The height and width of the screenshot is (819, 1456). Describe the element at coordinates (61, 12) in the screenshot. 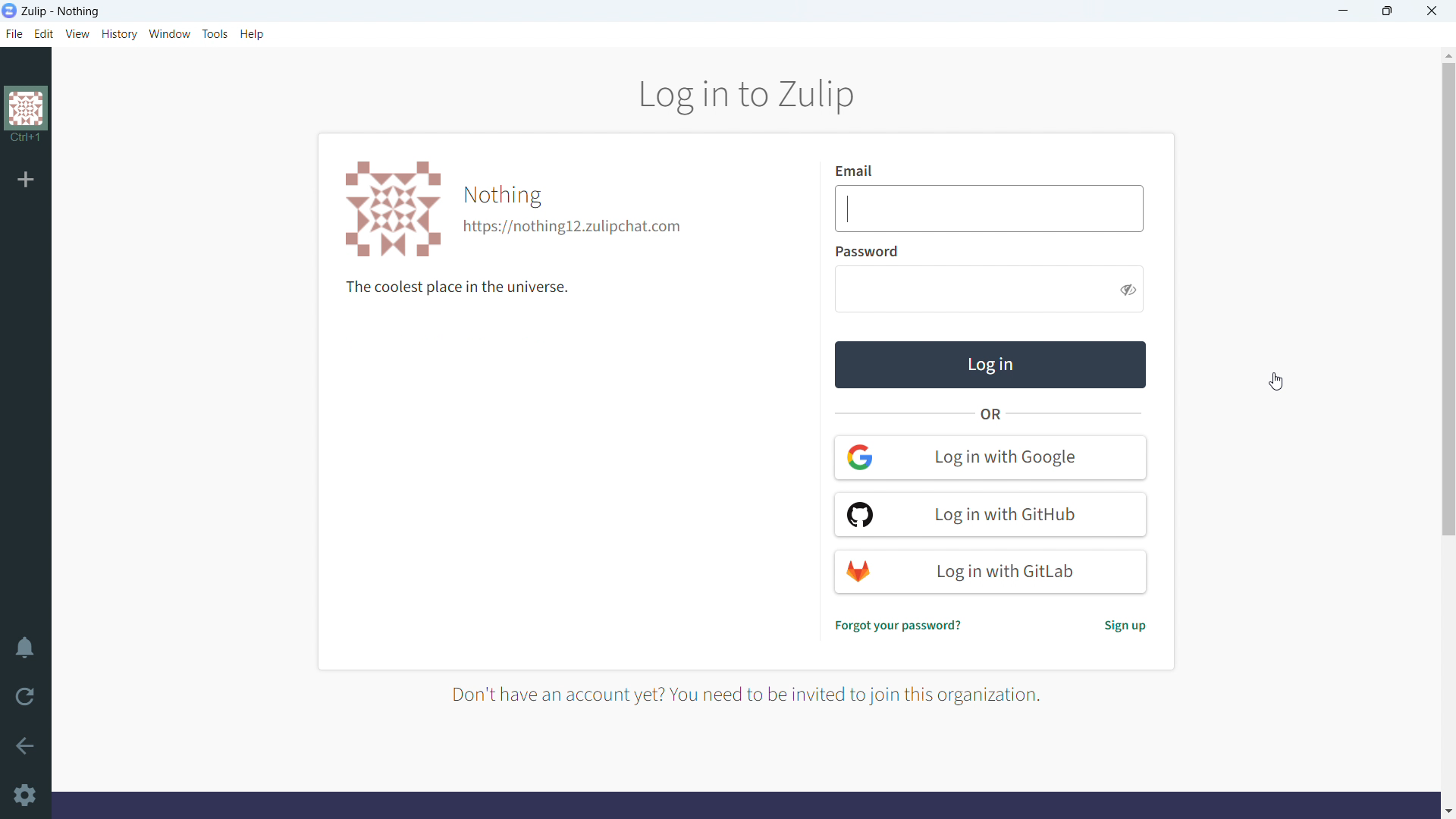

I see `title` at that location.